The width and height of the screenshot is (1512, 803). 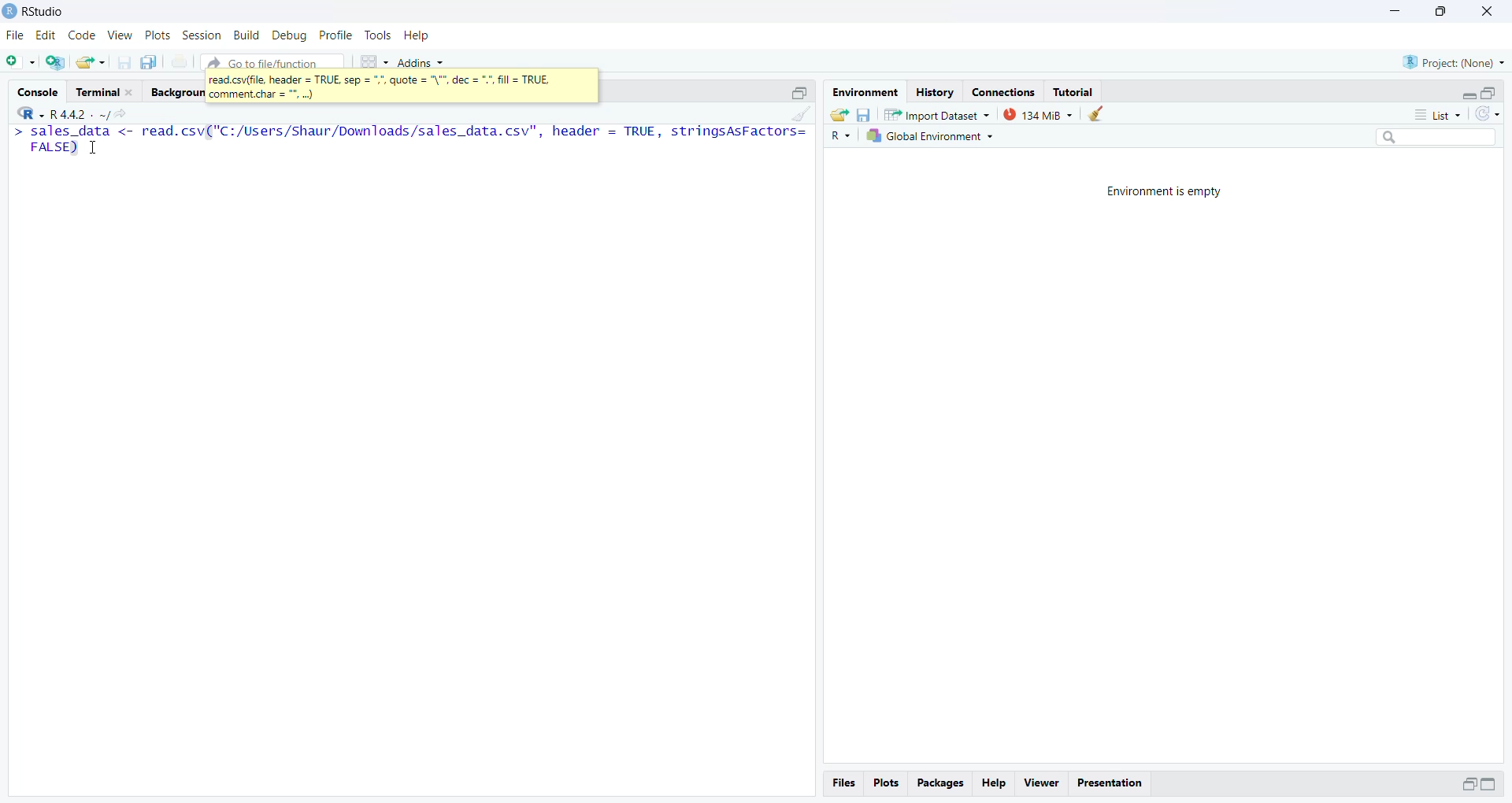 I want to click on Debug, so click(x=290, y=37).